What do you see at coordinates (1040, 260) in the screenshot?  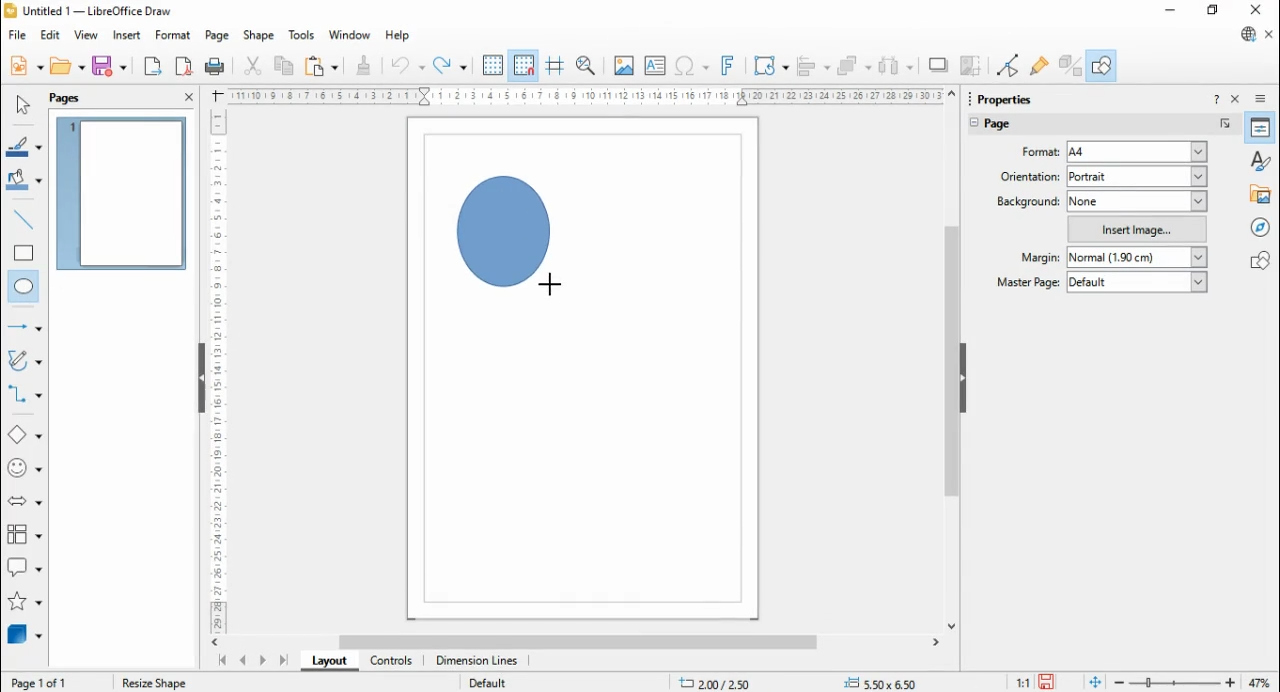 I see `margin` at bounding box center [1040, 260].